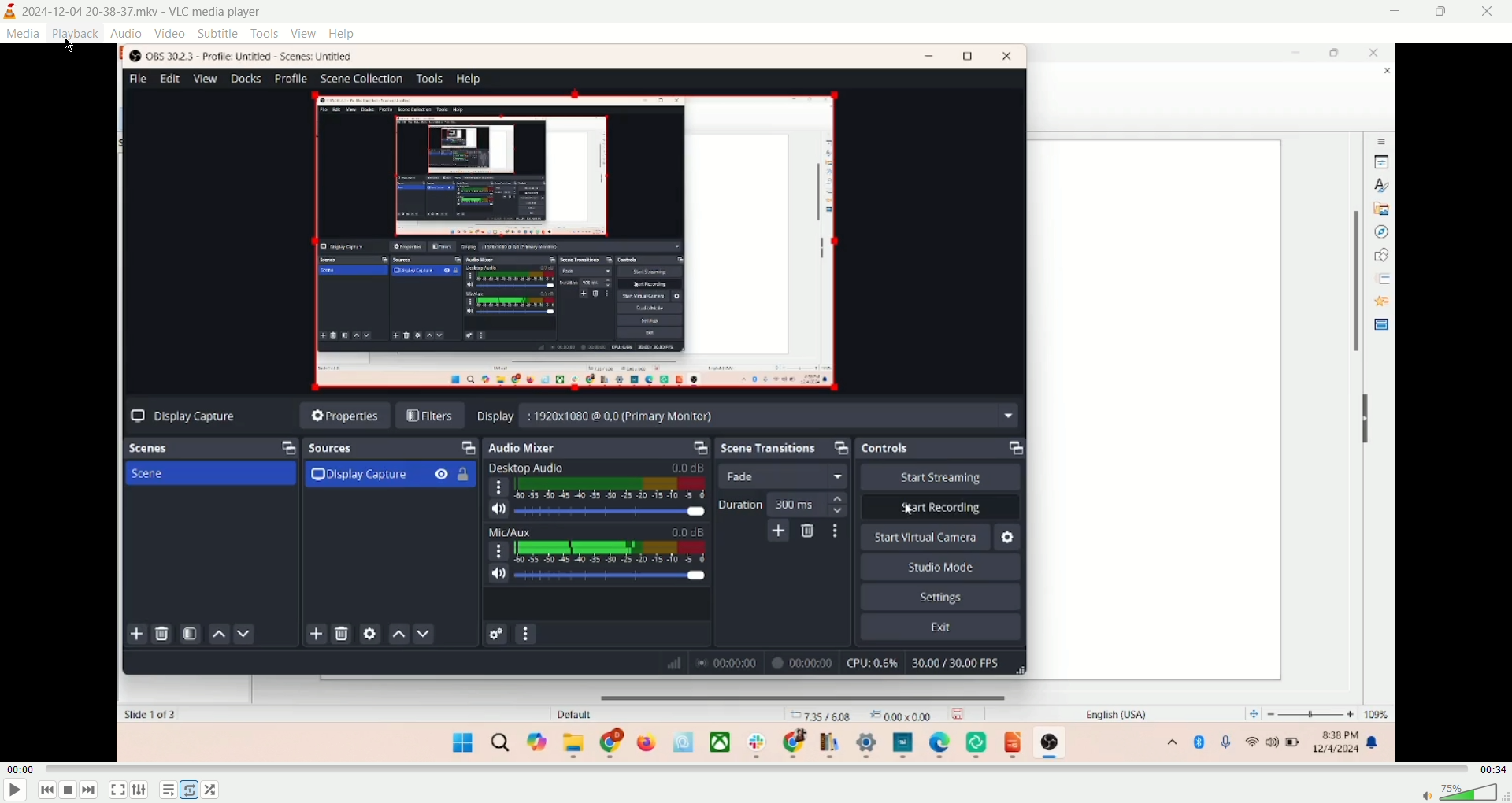 This screenshot has height=803, width=1512. What do you see at coordinates (11, 12) in the screenshot?
I see `logo` at bounding box center [11, 12].